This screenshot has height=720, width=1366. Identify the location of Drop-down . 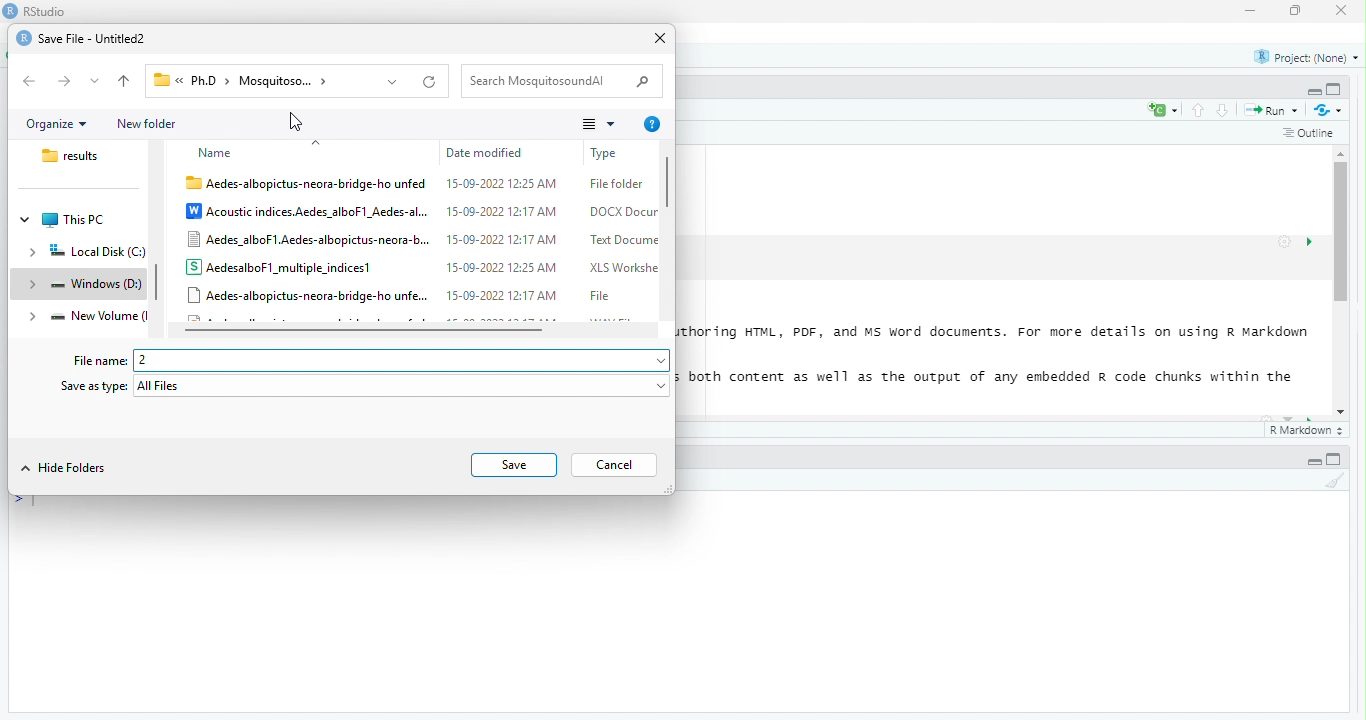
(96, 81).